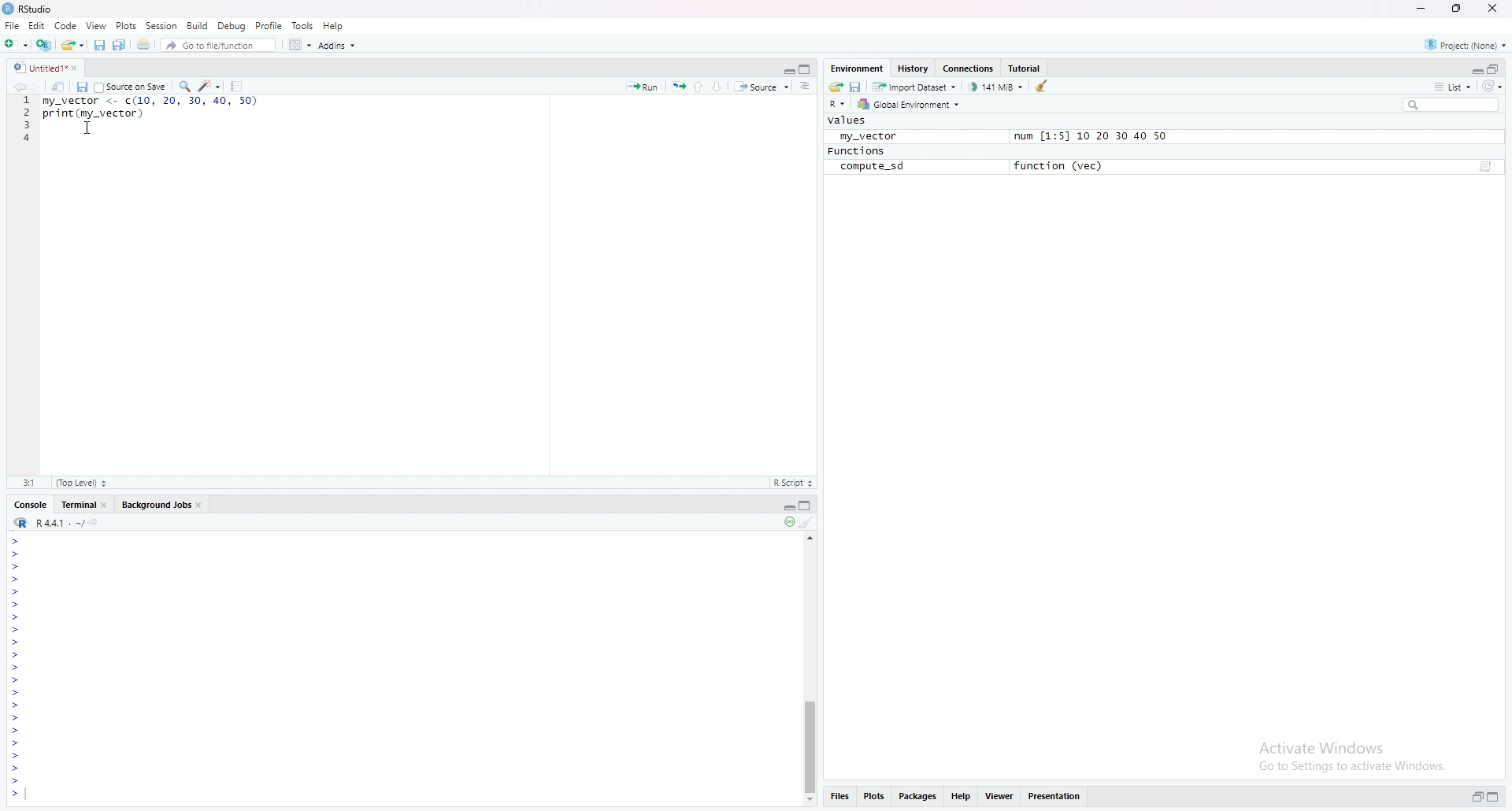  Describe the element at coordinates (810, 801) in the screenshot. I see `Button` at that location.